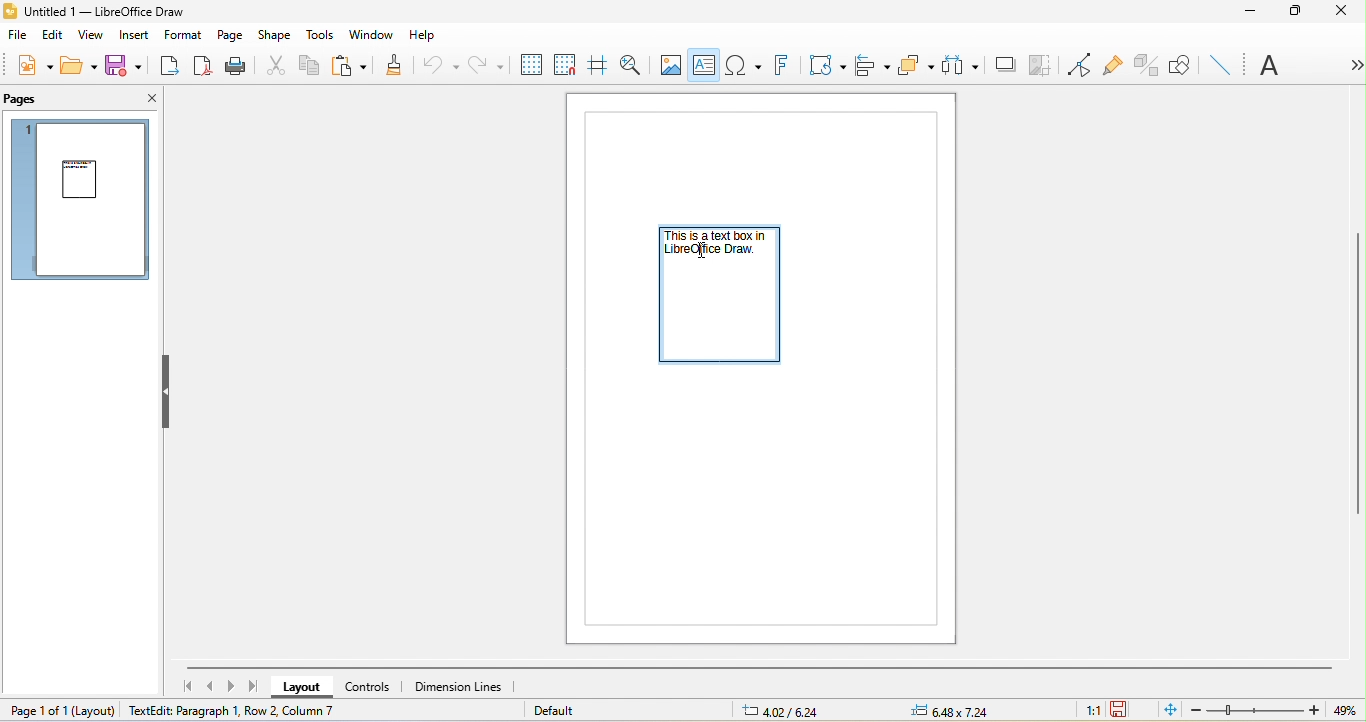 This screenshot has width=1366, height=722. Describe the element at coordinates (353, 65) in the screenshot. I see `paste` at that location.